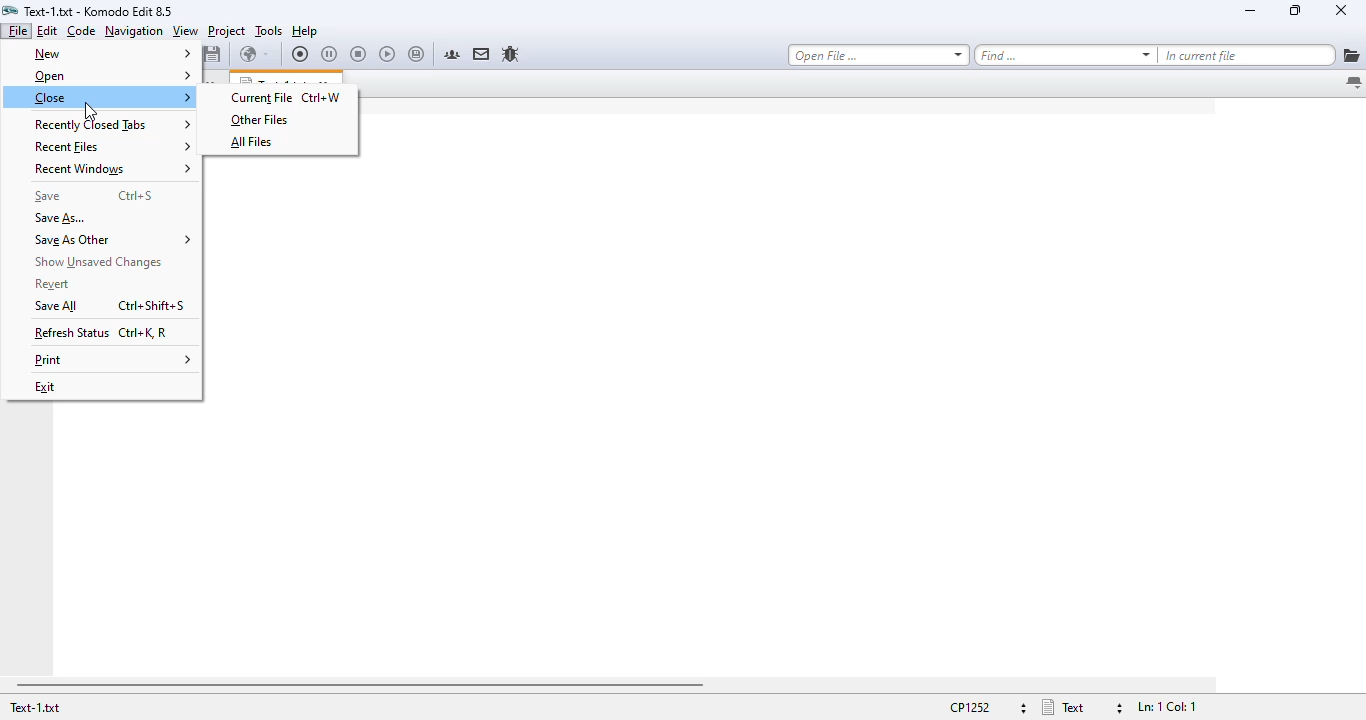 The height and width of the screenshot is (720, 1366). I want to click on file position, so click(1165, 707).